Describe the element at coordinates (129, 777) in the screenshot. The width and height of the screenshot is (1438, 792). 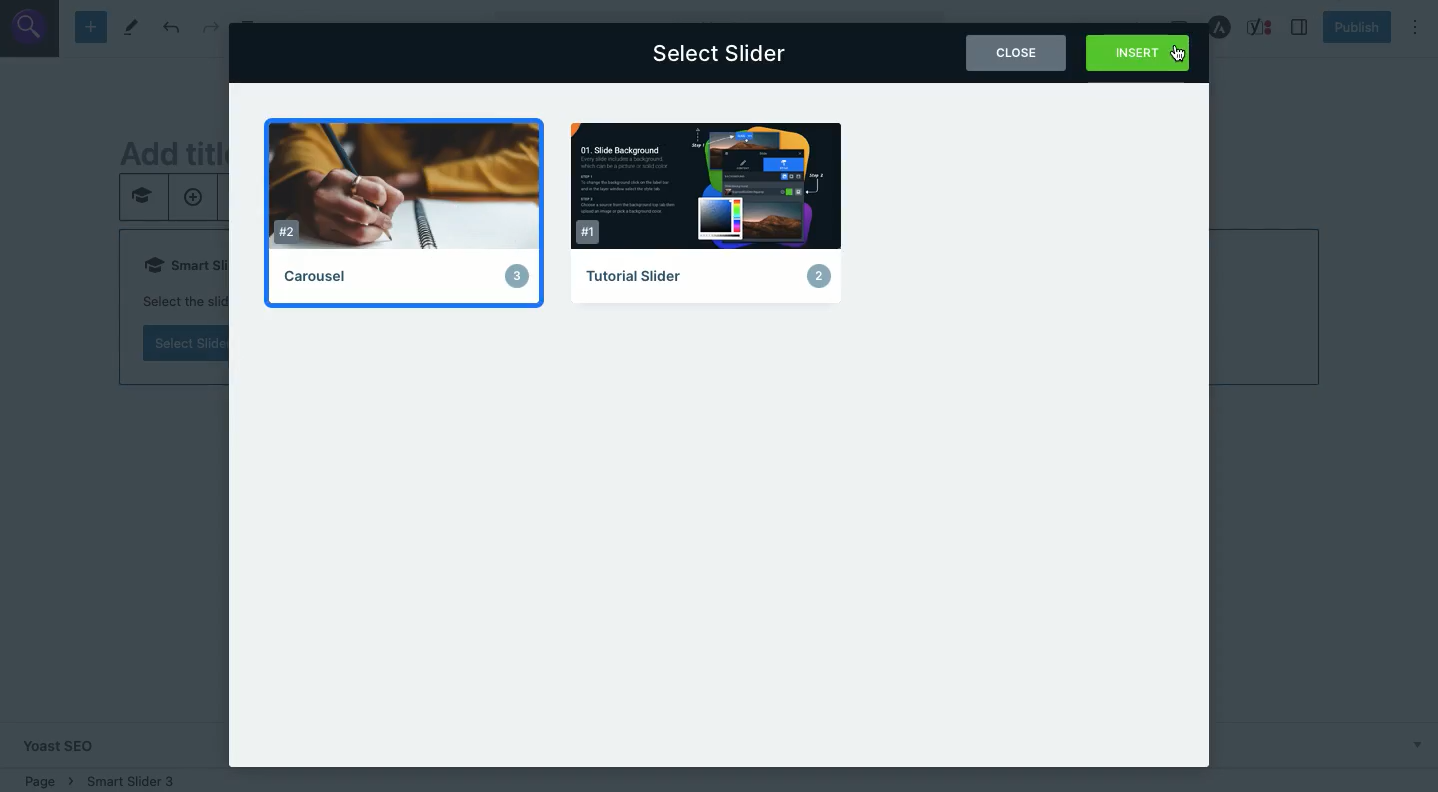
I see `smart sider 3` at that location.